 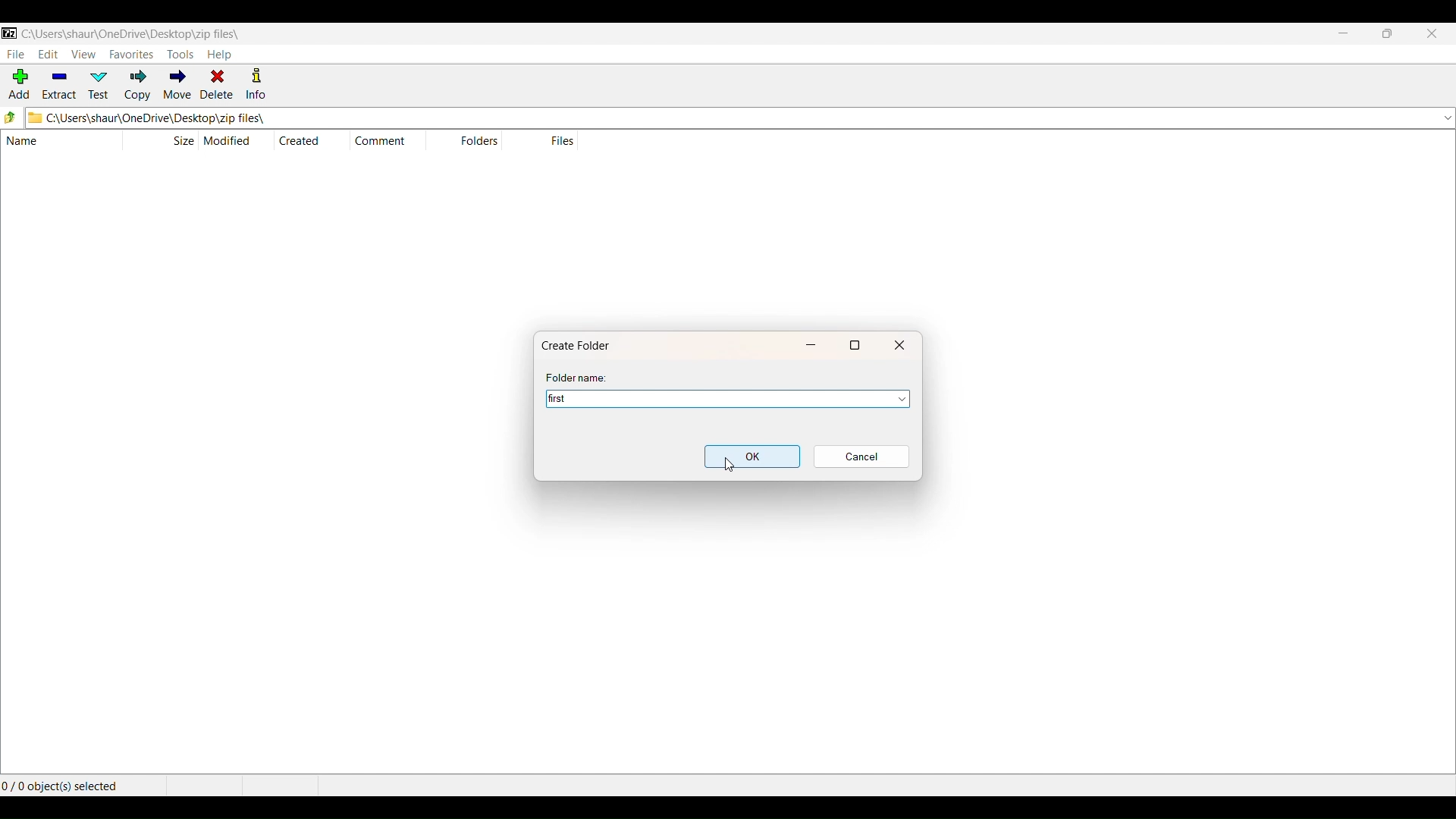 What do you see at coordinates (896, 399) in the screenshot?
I see `button to view available name for selection` at bounding box center [896, 399].